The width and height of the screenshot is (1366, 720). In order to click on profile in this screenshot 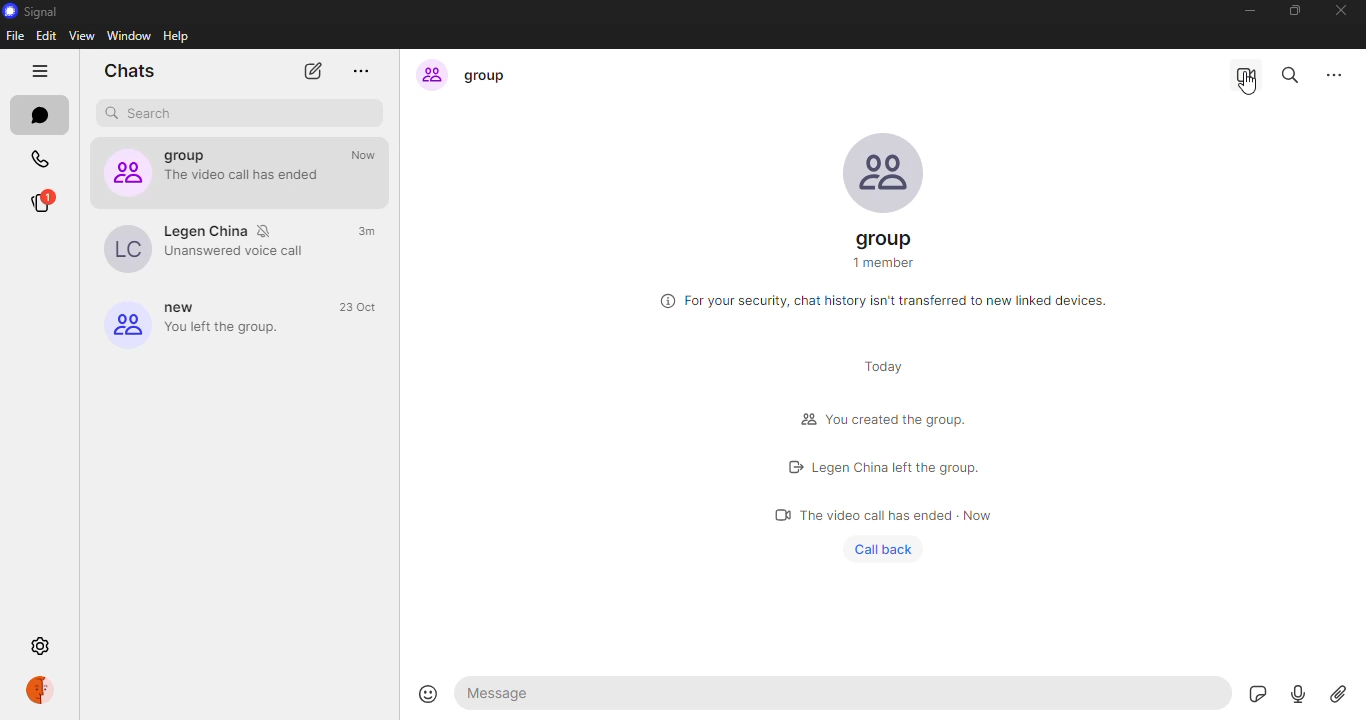, I will do `click(38, 692)`.